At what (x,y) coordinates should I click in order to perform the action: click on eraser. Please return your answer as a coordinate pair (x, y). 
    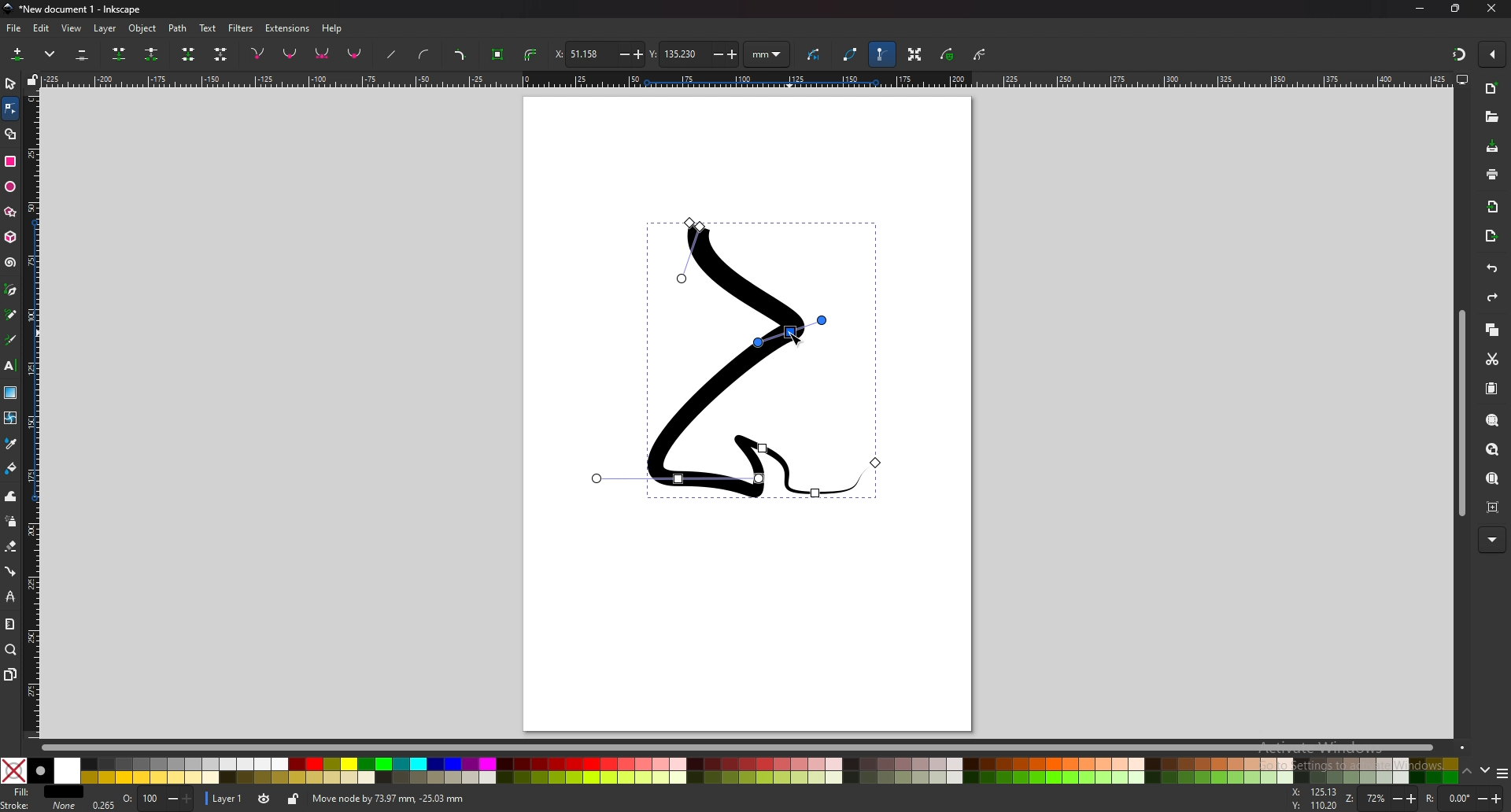
    Looking at the image, I should click on (12, 545).